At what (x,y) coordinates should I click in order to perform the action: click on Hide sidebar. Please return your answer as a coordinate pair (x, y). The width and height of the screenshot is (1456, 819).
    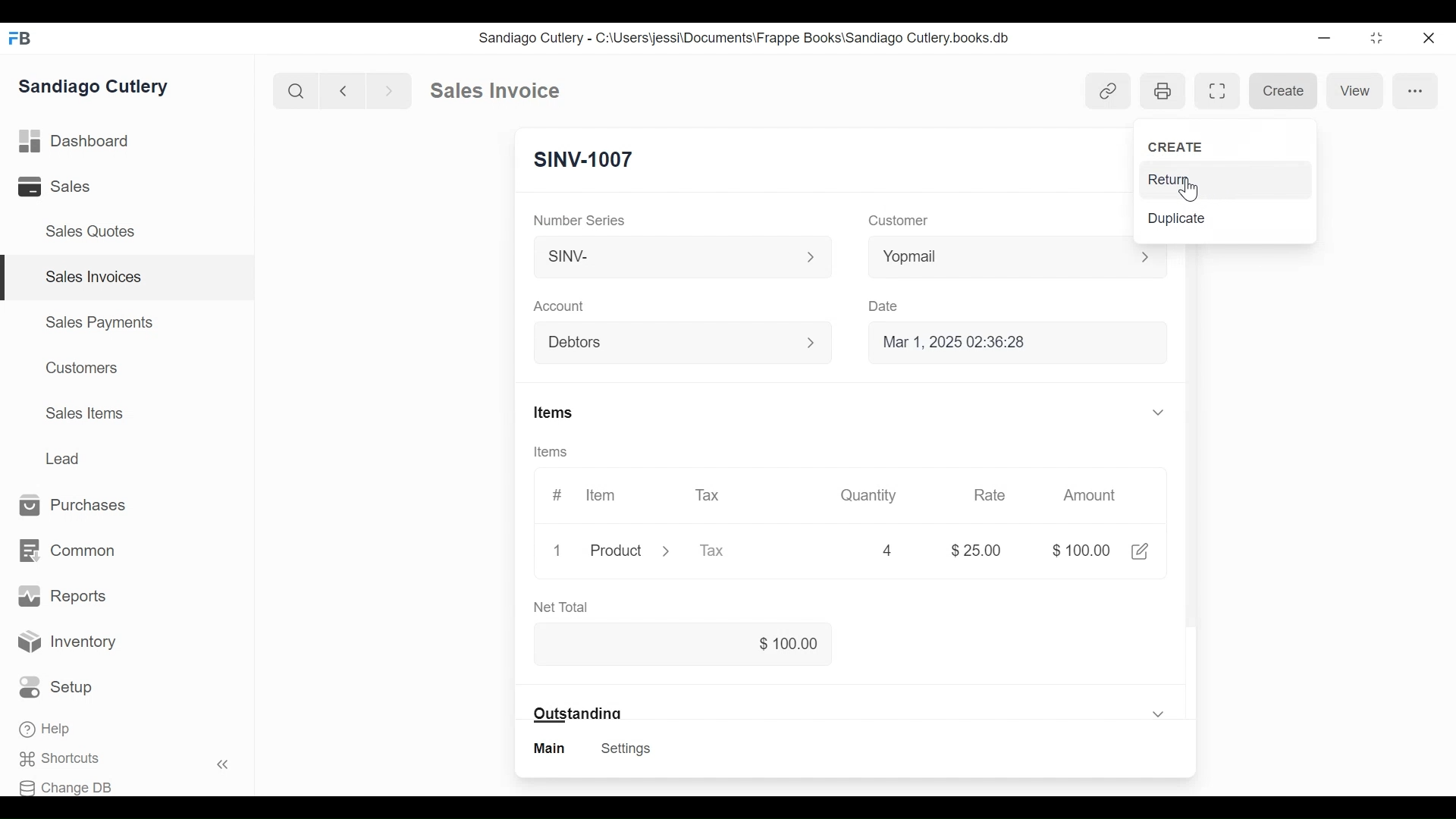
    Looking at the image, I should click on (224, 764).